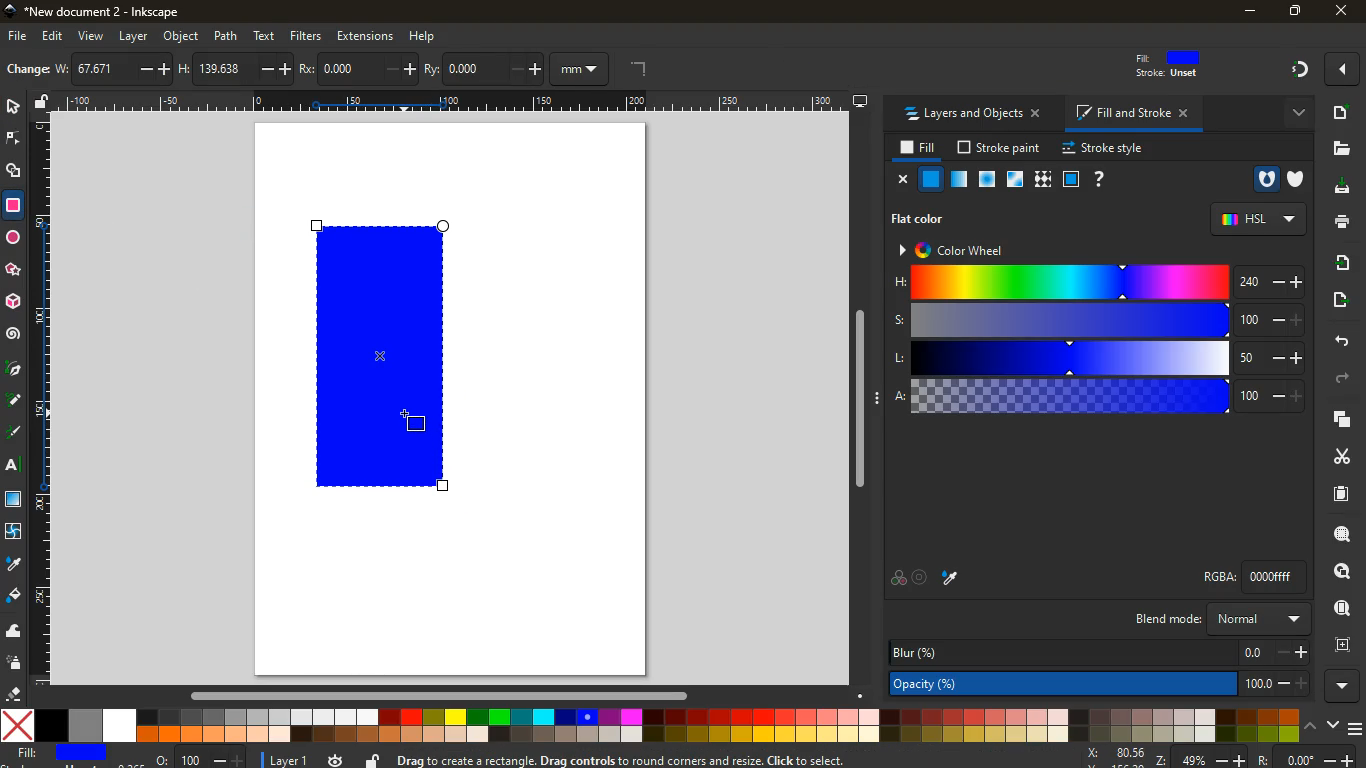 This screenshot has height=768, width=1366. What do you see at coordinates (1337, 456) in the screenshot?
I see `cut` at bounding box center [1337, 456].